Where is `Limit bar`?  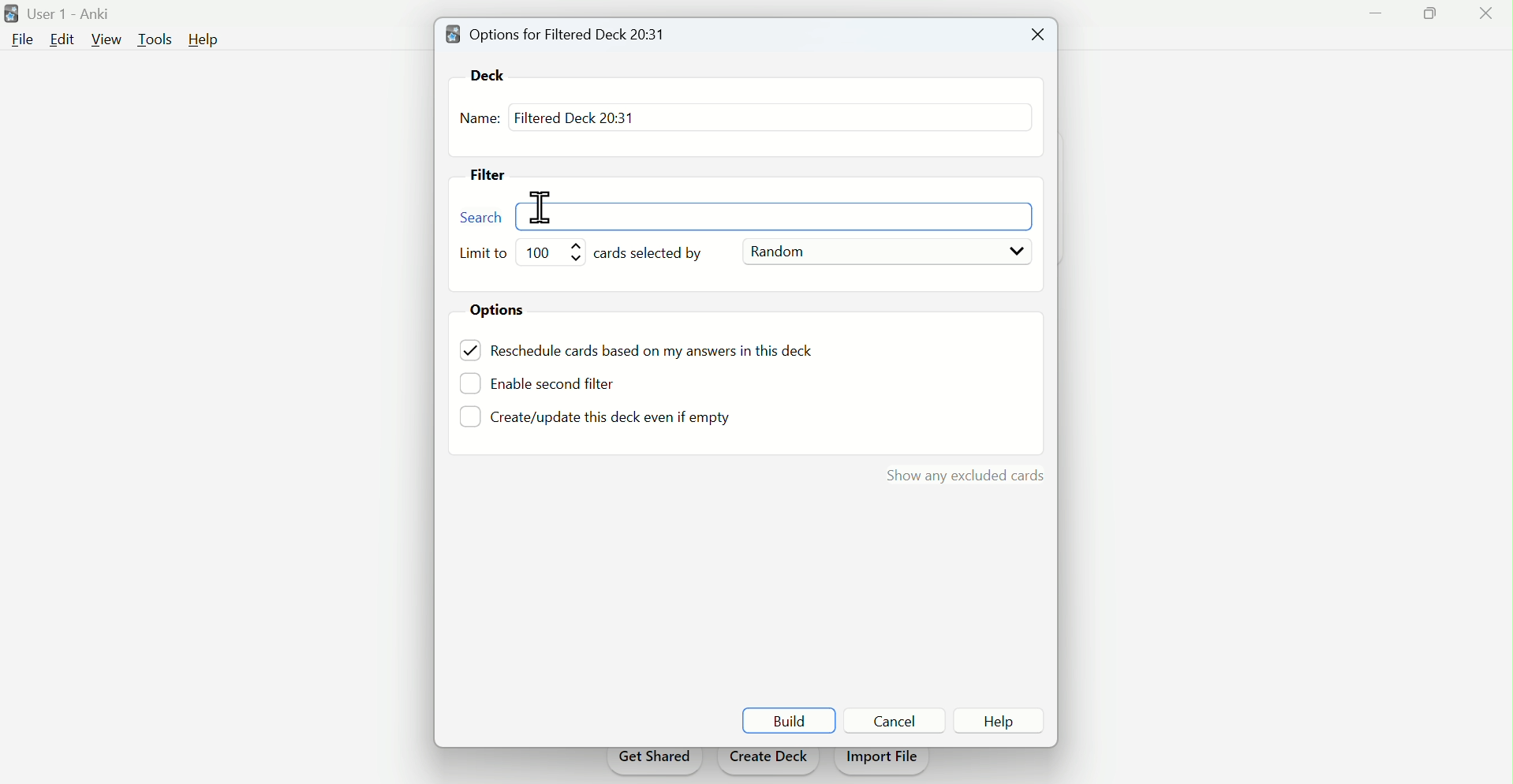 Limit bar is located at coordinates (555, 252).